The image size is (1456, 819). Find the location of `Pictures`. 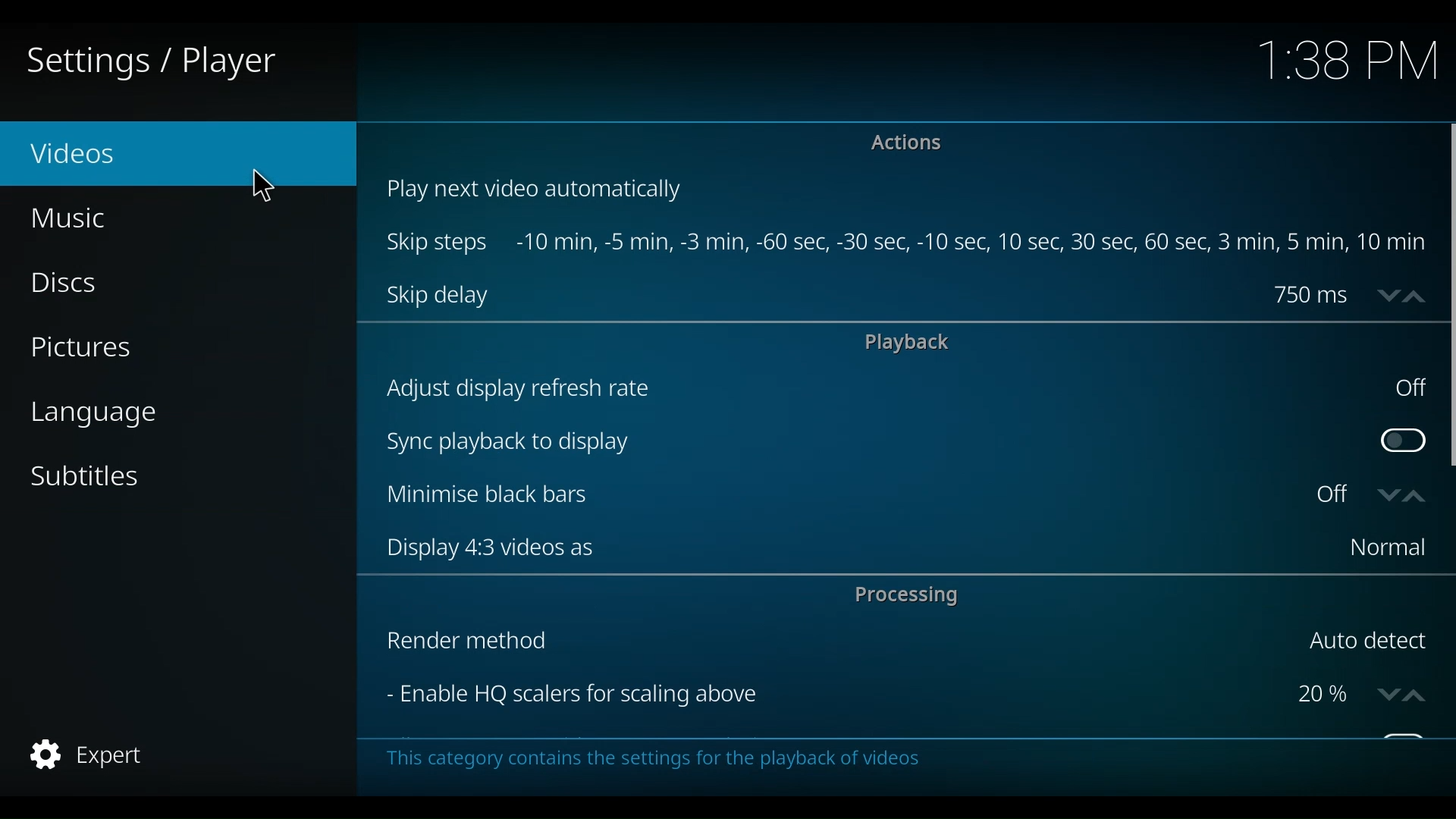

Pictures is located at coordinates (86, 350).